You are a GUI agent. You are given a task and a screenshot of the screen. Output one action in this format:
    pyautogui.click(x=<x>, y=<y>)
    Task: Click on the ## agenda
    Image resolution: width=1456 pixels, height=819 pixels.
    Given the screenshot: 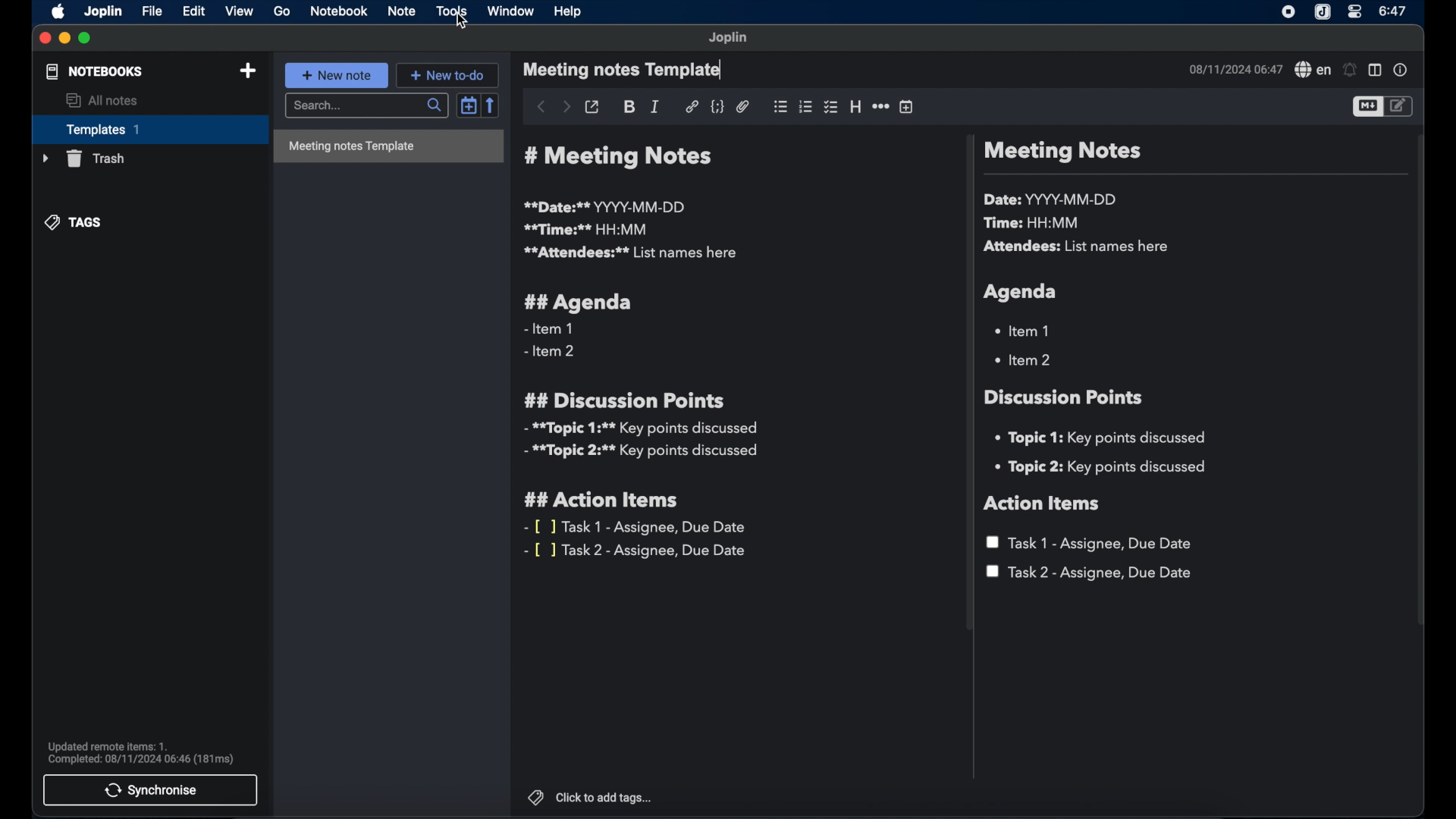 What is the action you would take?
    pyautogui.click(x=579, y=303)
    